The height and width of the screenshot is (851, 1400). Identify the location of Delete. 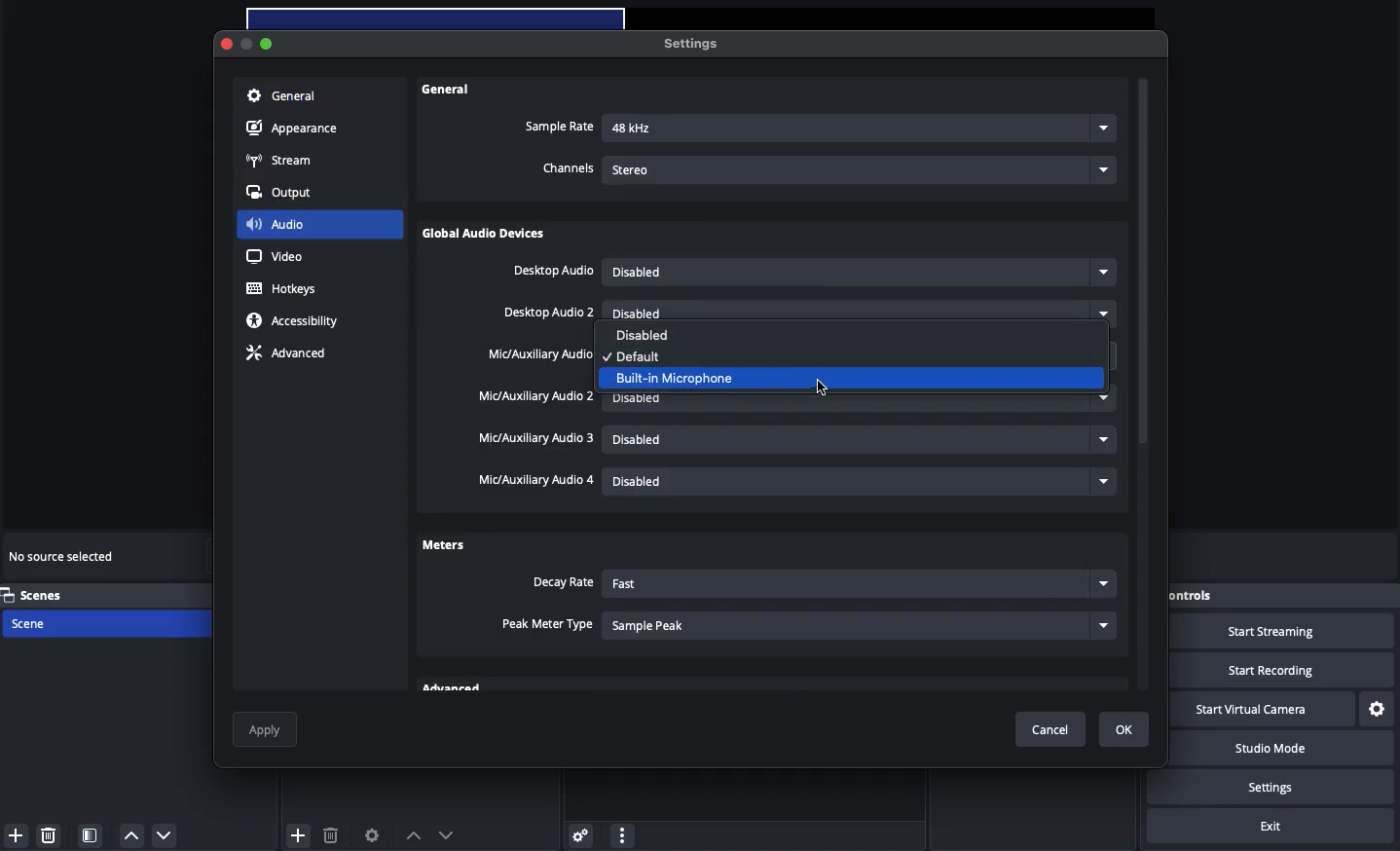
(330, 834).